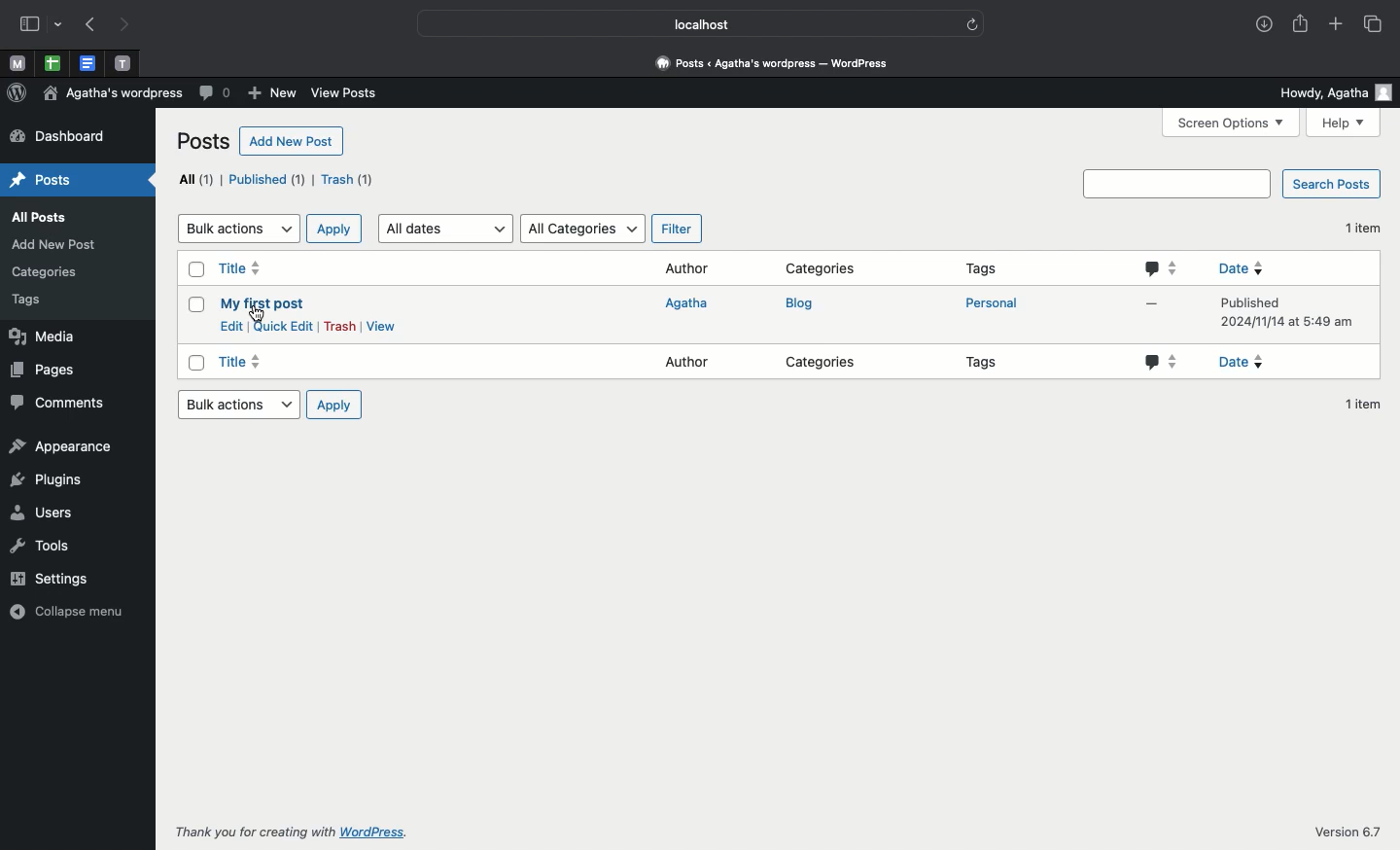  What do you see at coordinates (64, 615) in the screenshot?
I see `collapse menu` at bounding box center [64, 615].